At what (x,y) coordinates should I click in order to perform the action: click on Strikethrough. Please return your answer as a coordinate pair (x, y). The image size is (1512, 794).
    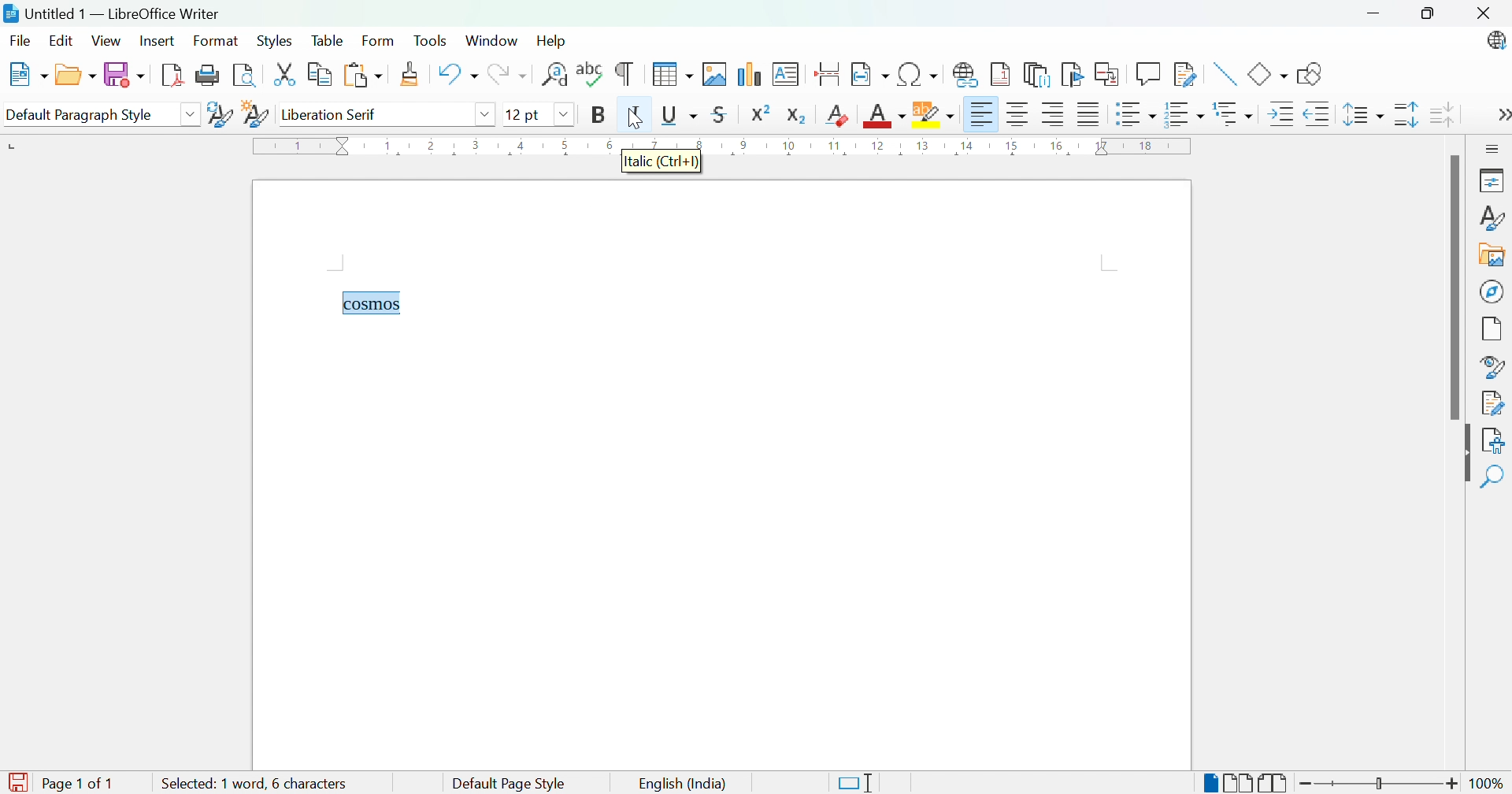
    Looking at the image, I should click on (721, 114).